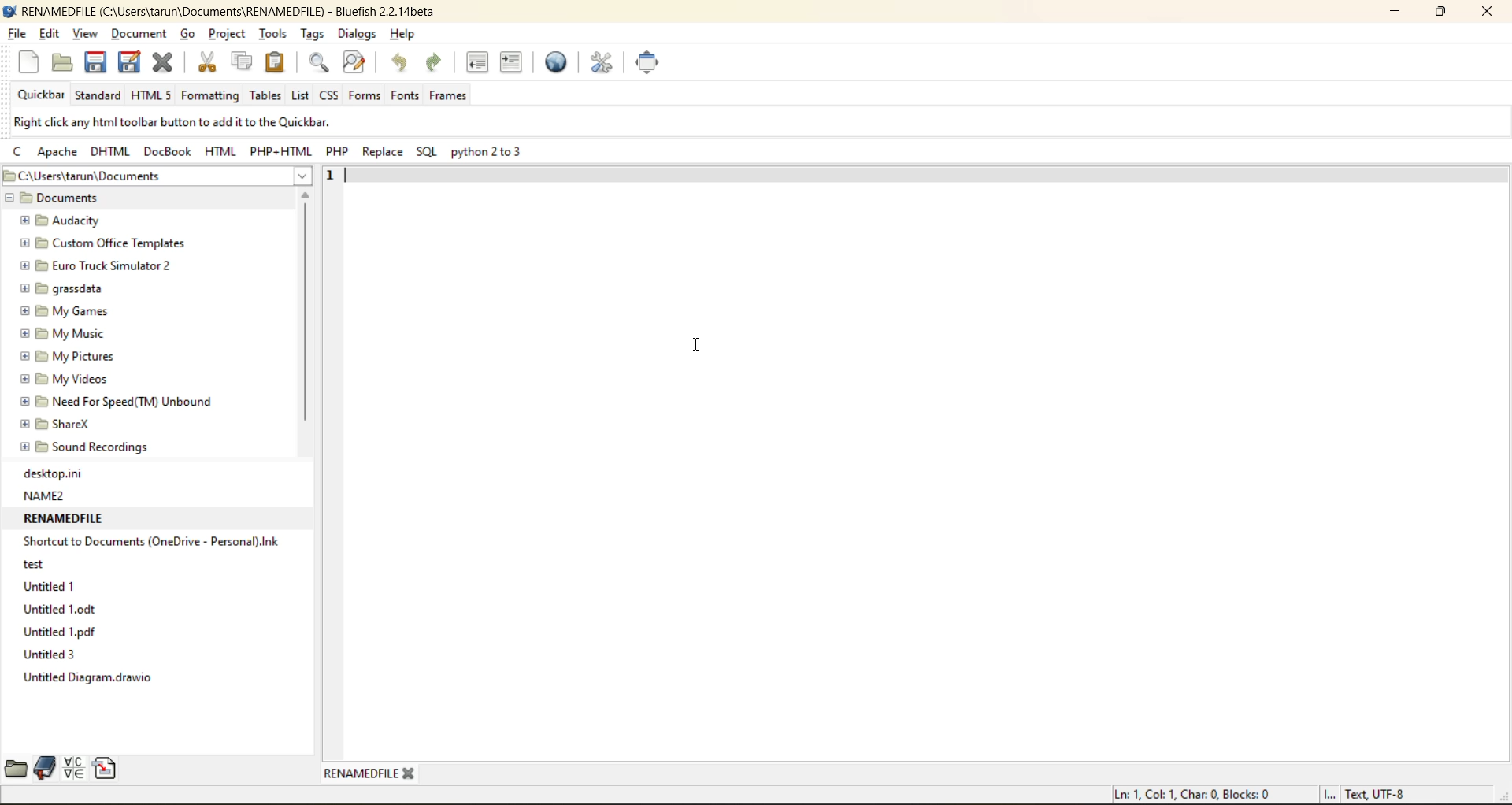  What do you see at coordinates (95, 62) in the screenshot?
I see `save` at bounding box center [95, 62].